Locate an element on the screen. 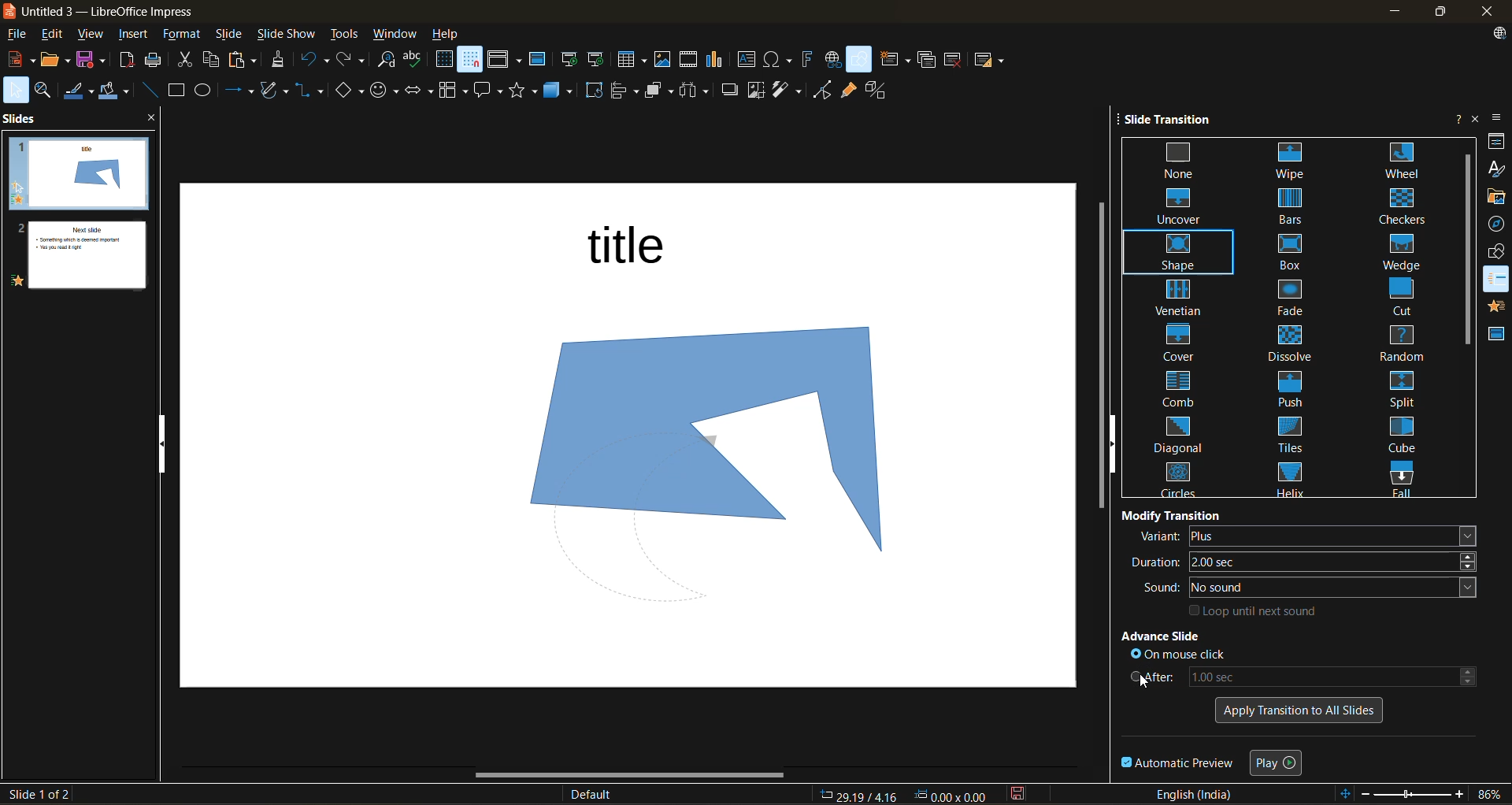 This screenshot has width=1512, height=805. paste is located at coordinates (243, 61).